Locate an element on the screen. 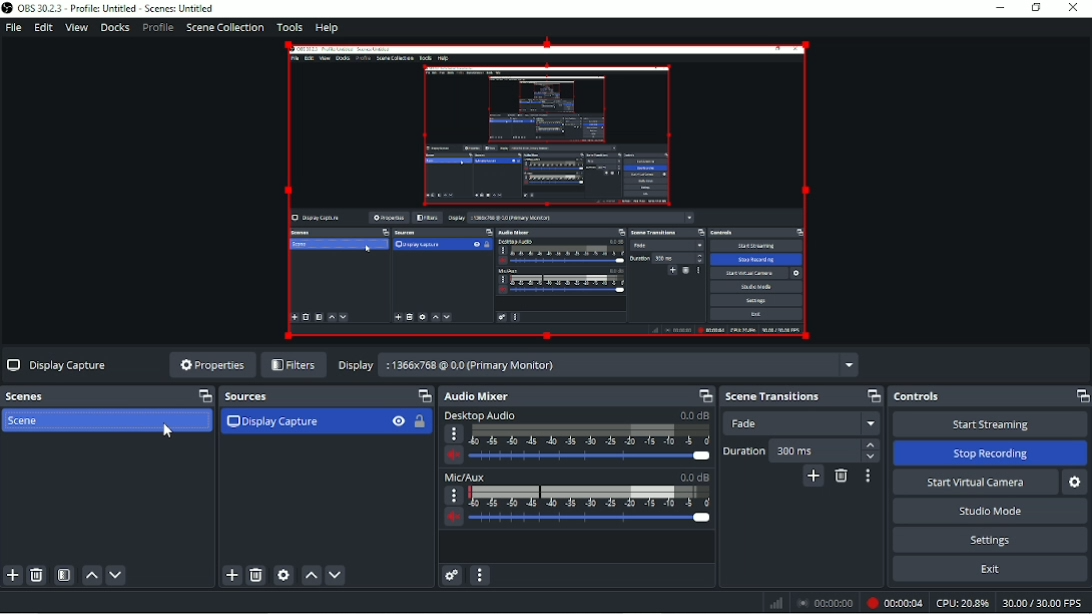  Stop Recording is located at coordinates (989, 453).